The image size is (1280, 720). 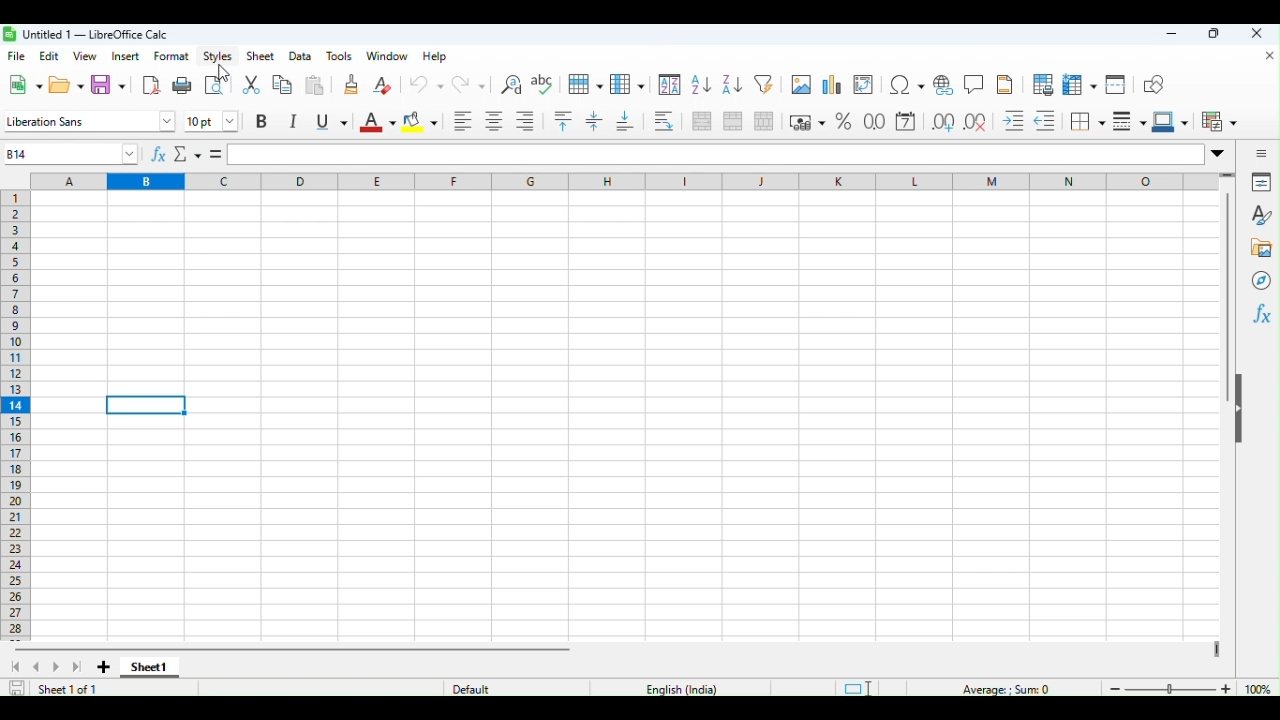 What do you see at coordinates (263, 122) in the screenshot?
I see `B` at bounding box center [263, 122].